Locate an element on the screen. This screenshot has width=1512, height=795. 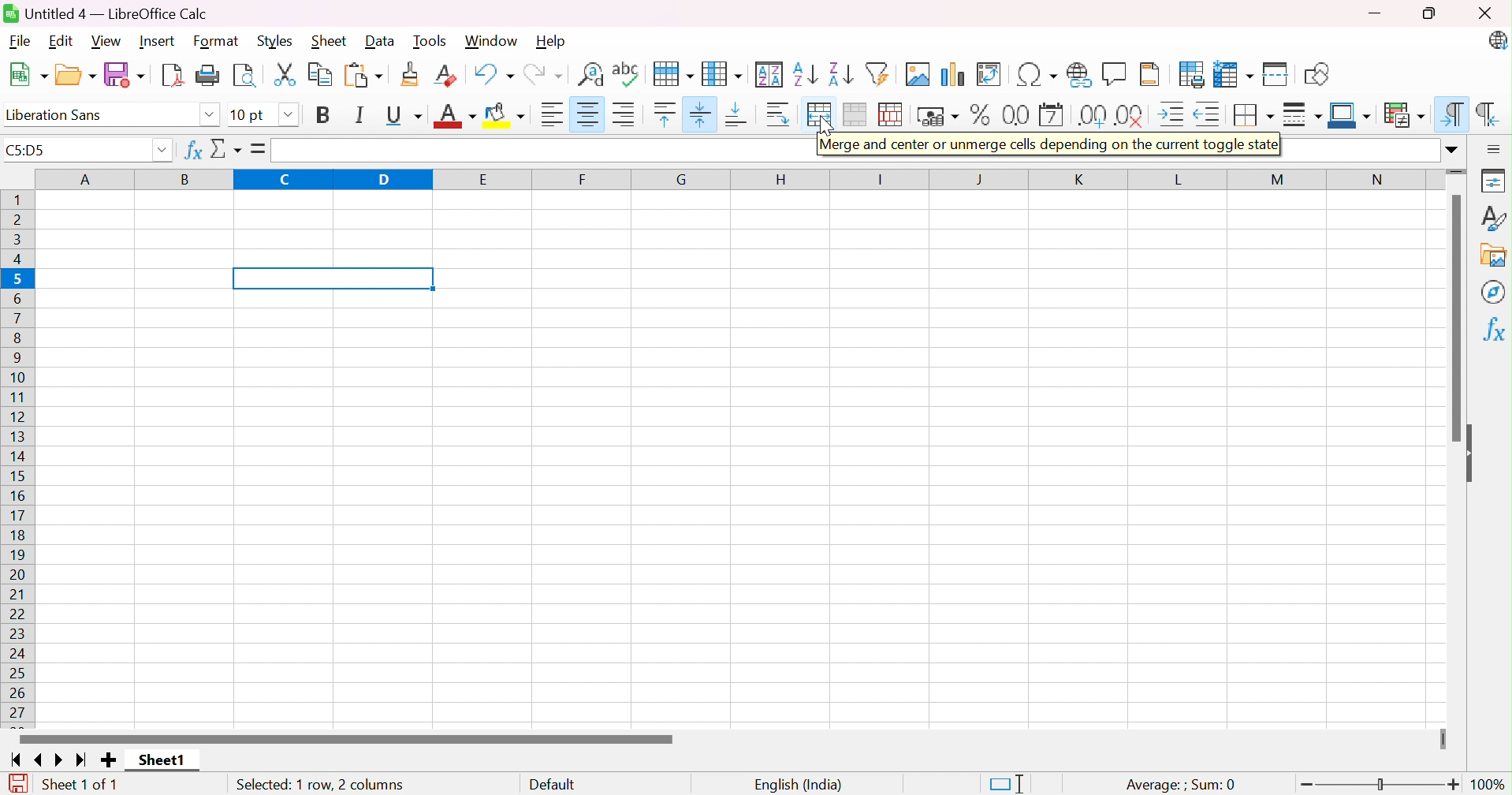
Row Number is located at coordinates (20, 455).